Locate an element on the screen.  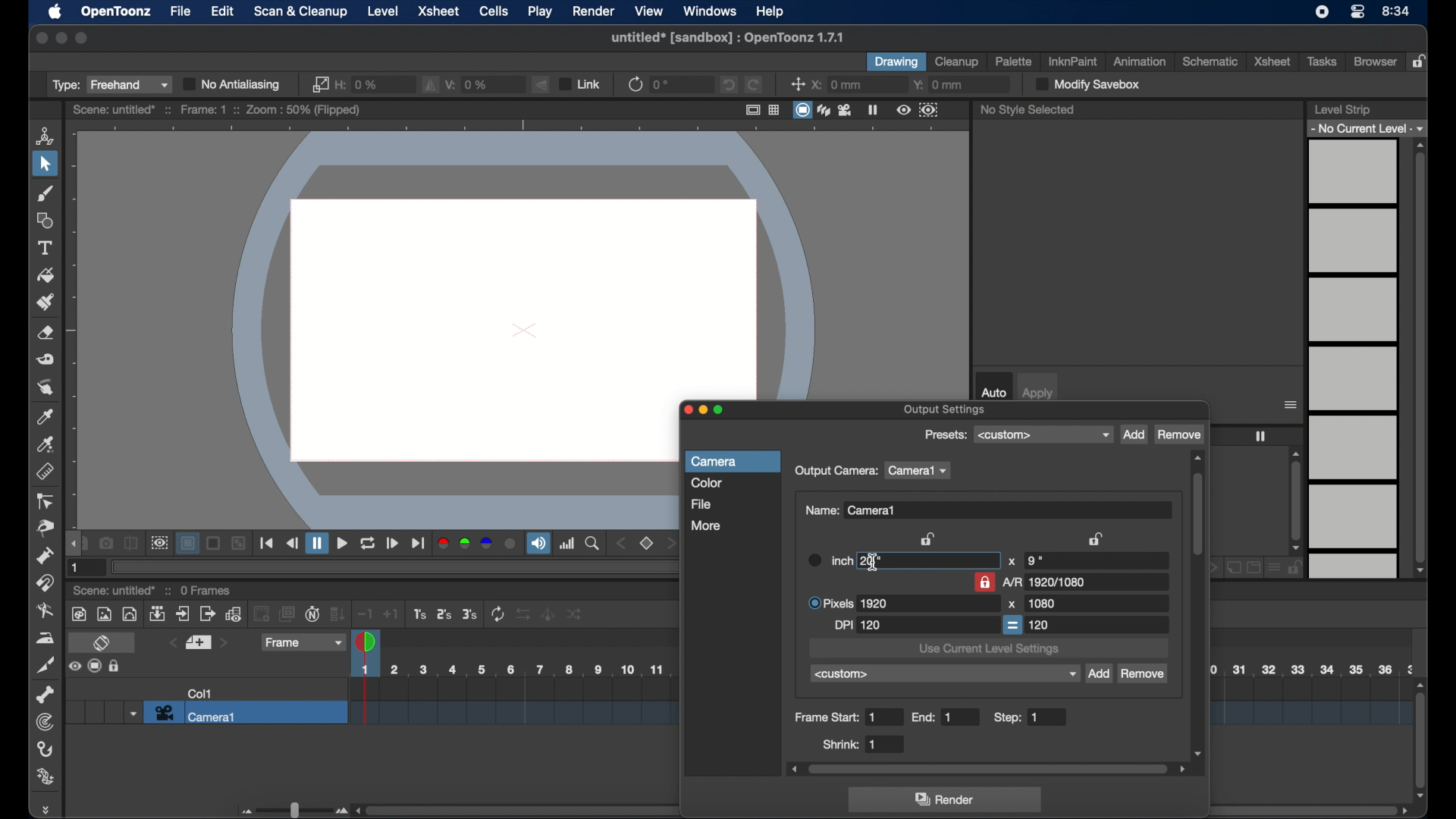
help is located at coordinates (770, 12).